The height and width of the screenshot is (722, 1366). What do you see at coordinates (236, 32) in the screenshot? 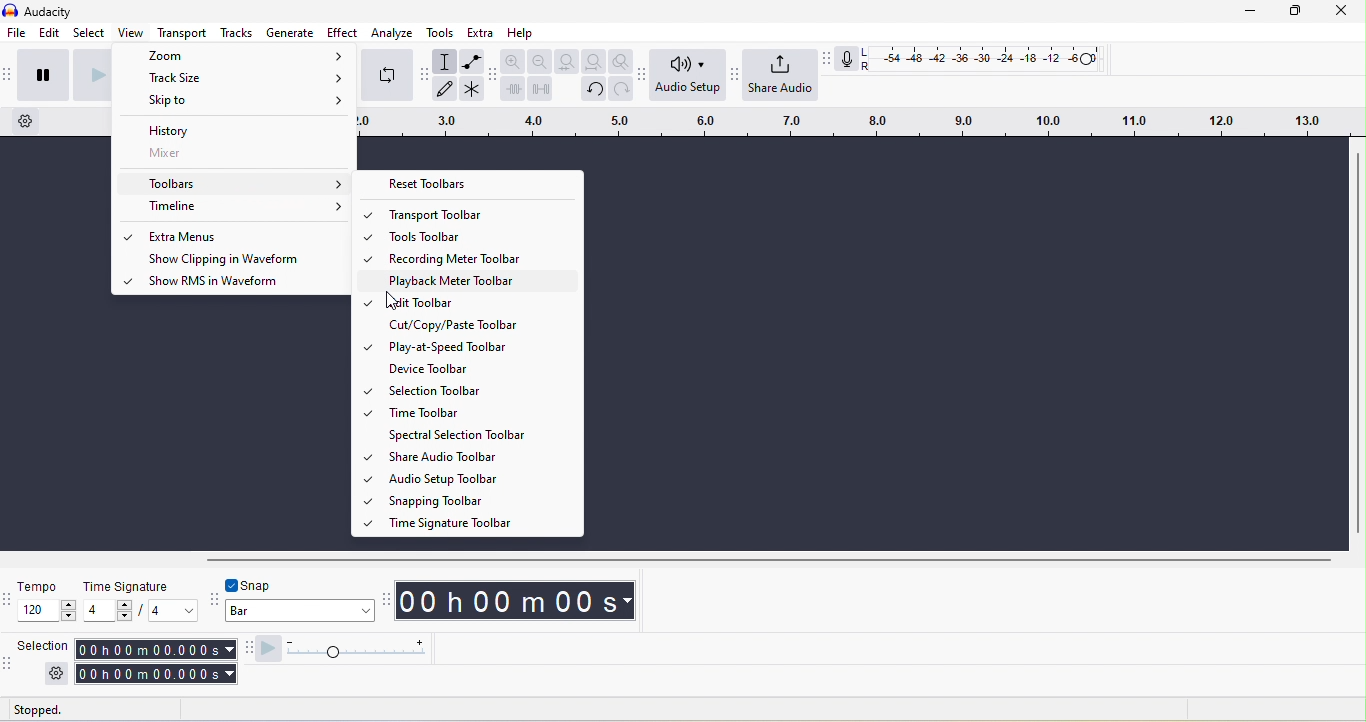
I see `tracks` at bounding box center [236, 32].